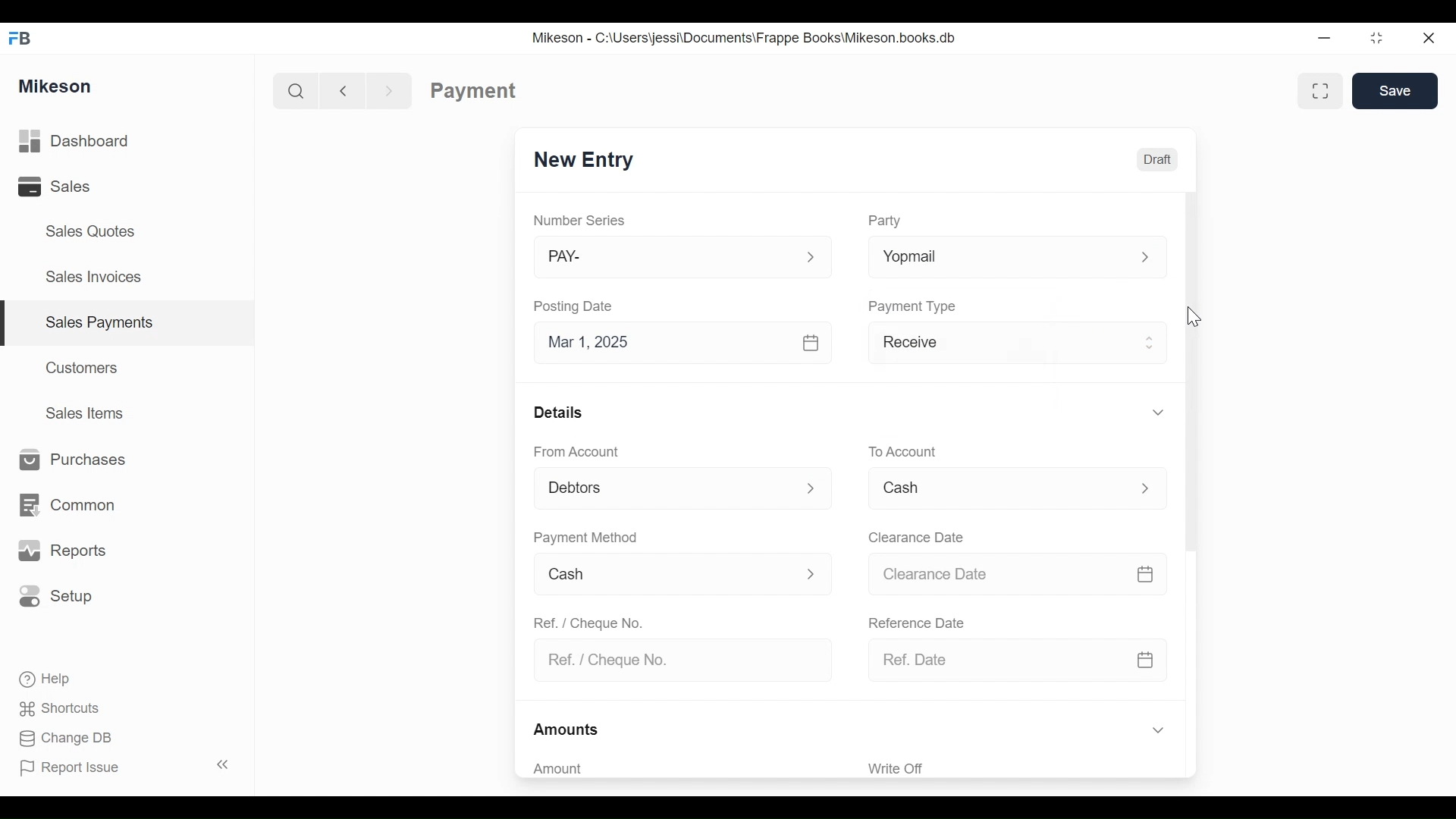 The height and width of the screenshot is (819, 1456). What do you see at coordinates (53, 188) in the screenshot?
I see `Sales` at bounding box center [53, 188].